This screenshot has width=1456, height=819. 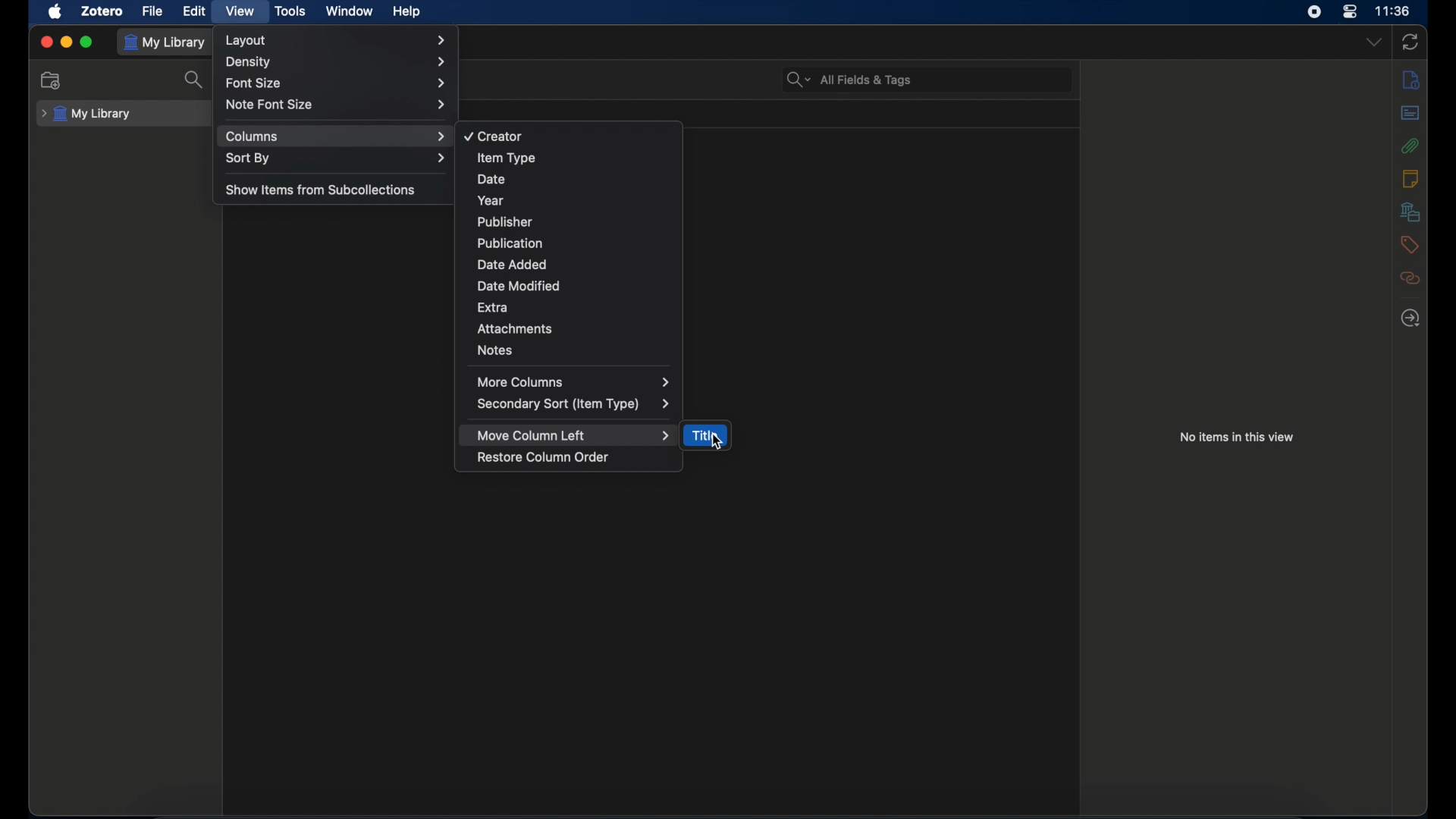 I want to click on libraries, so click(x=1411, y=212).